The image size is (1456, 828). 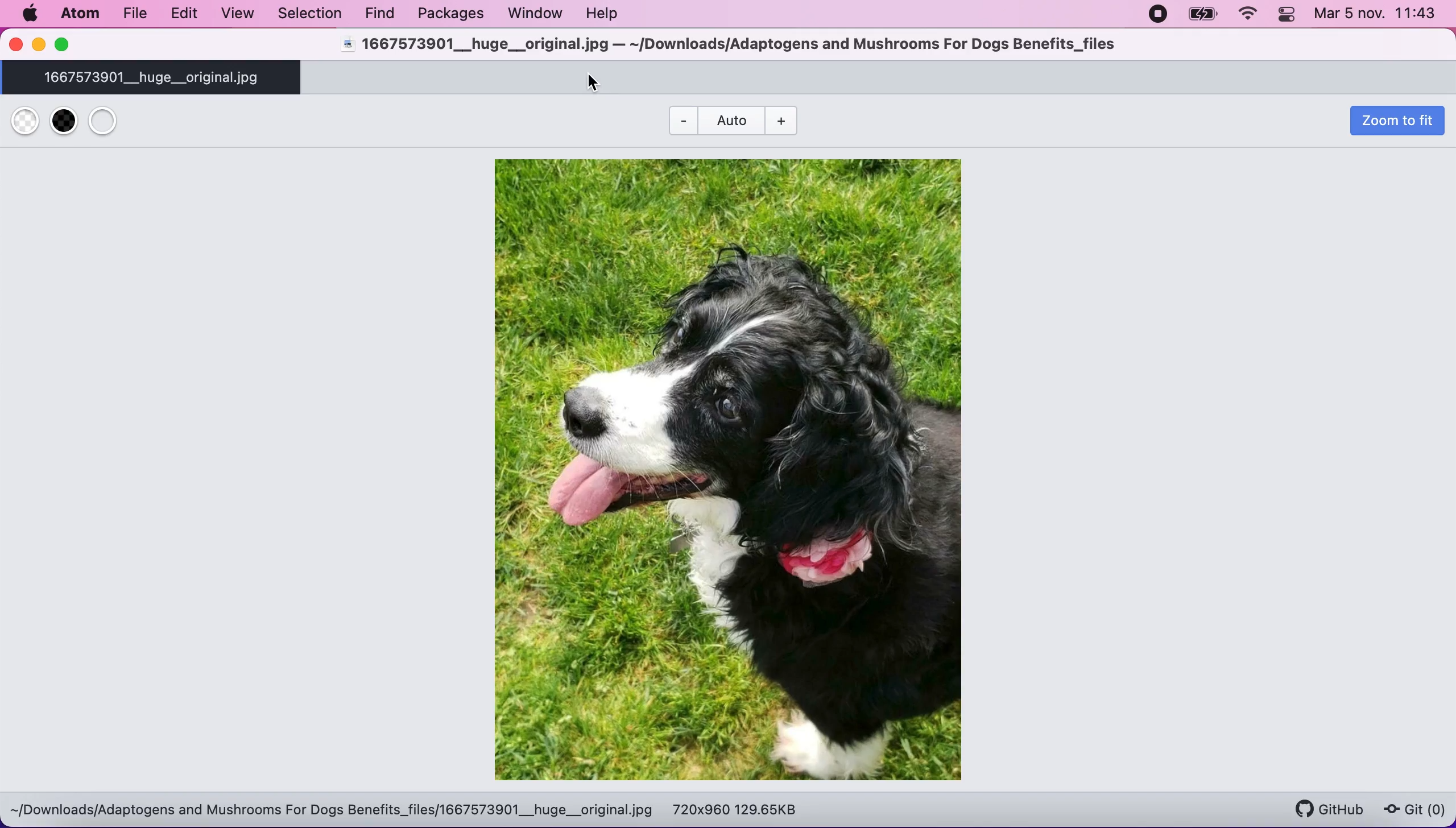 What do you see at coordinates (448, 14) in the screenshot?
I see `packages` at bounding box center [448, 14].